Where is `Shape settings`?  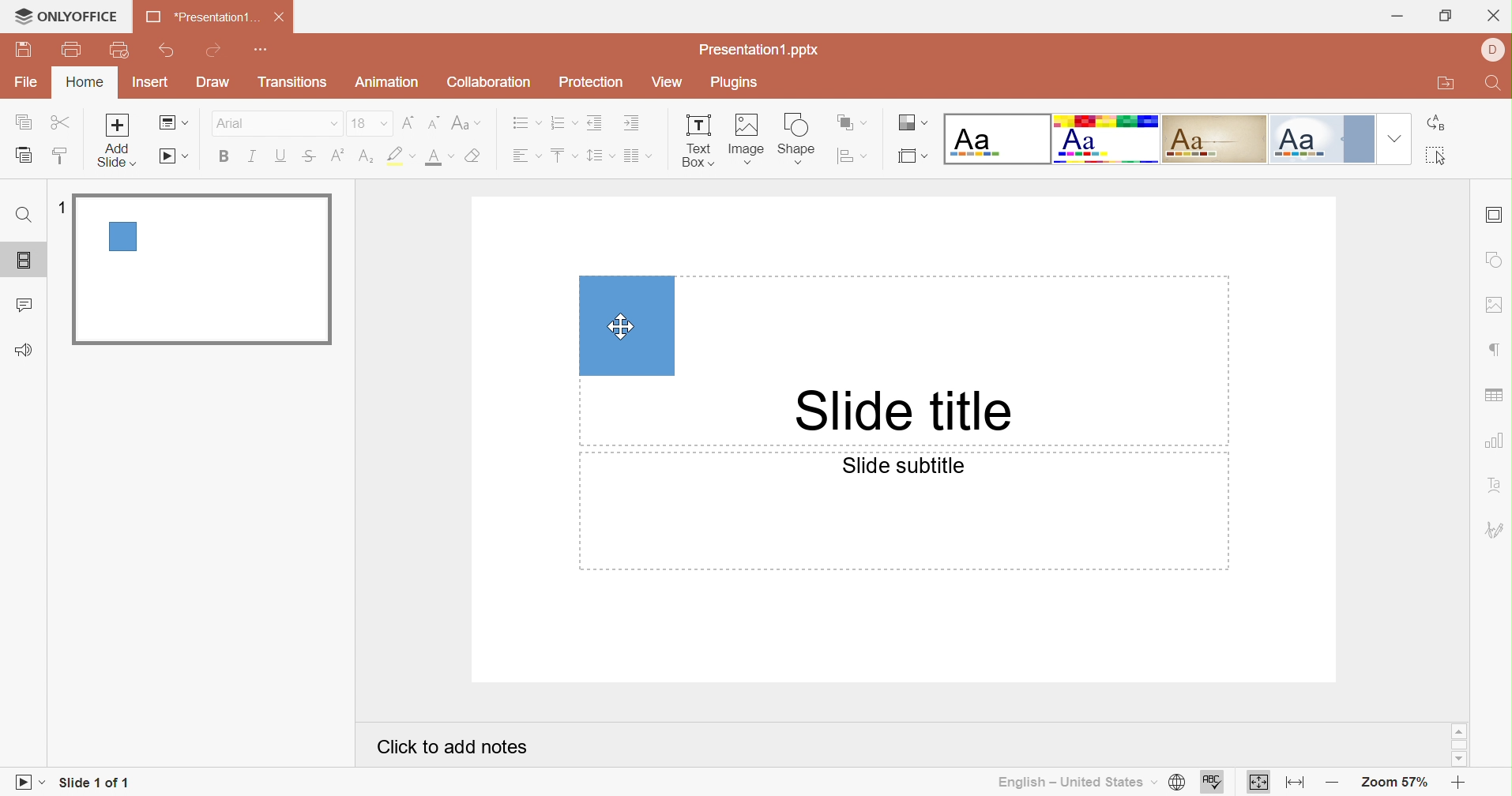
Shape settings is located at coordinates (1495, 260).